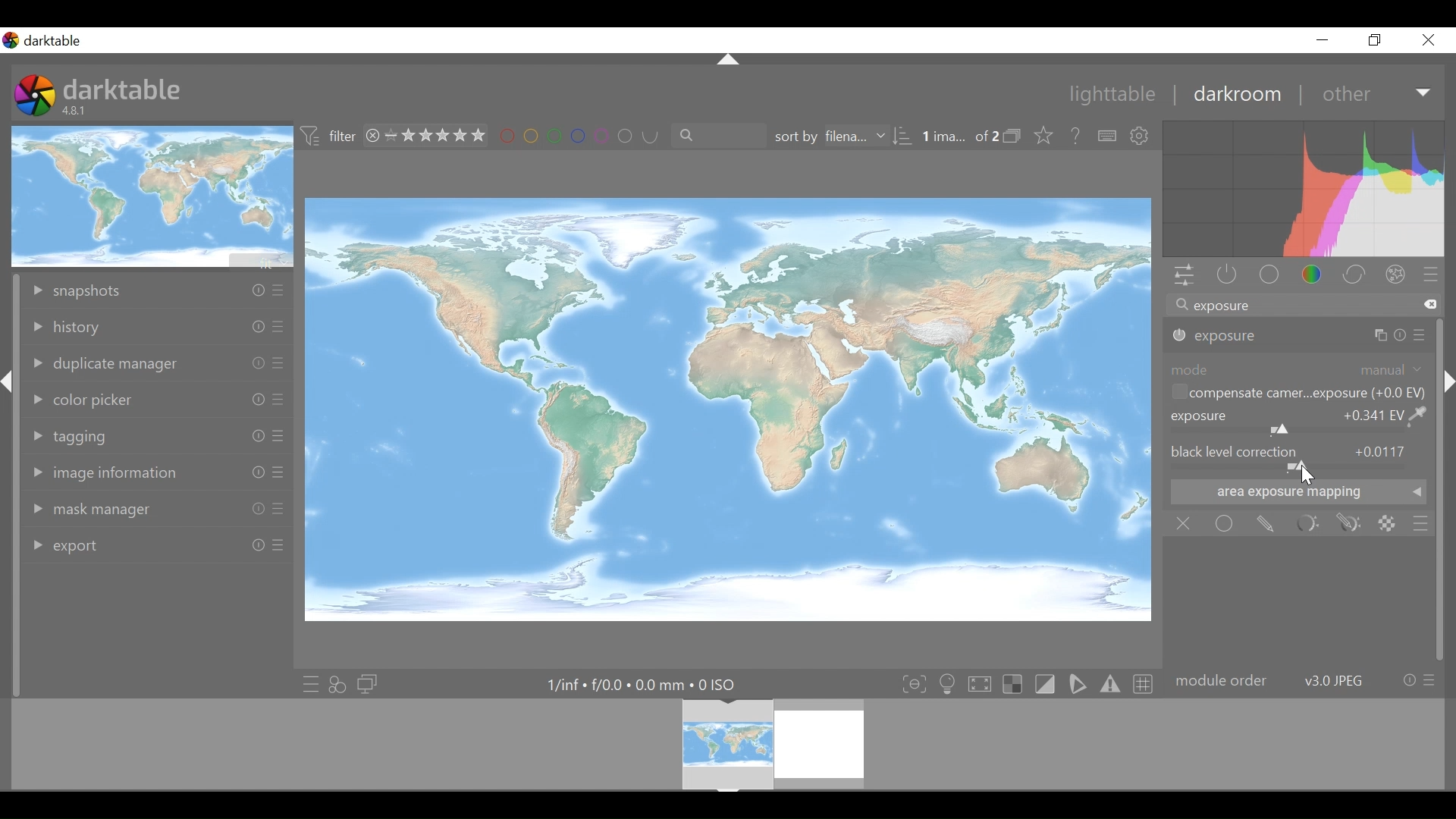  Describe the element at coordinates (1427, 39) in the screenshot. I see `Close` at that location.